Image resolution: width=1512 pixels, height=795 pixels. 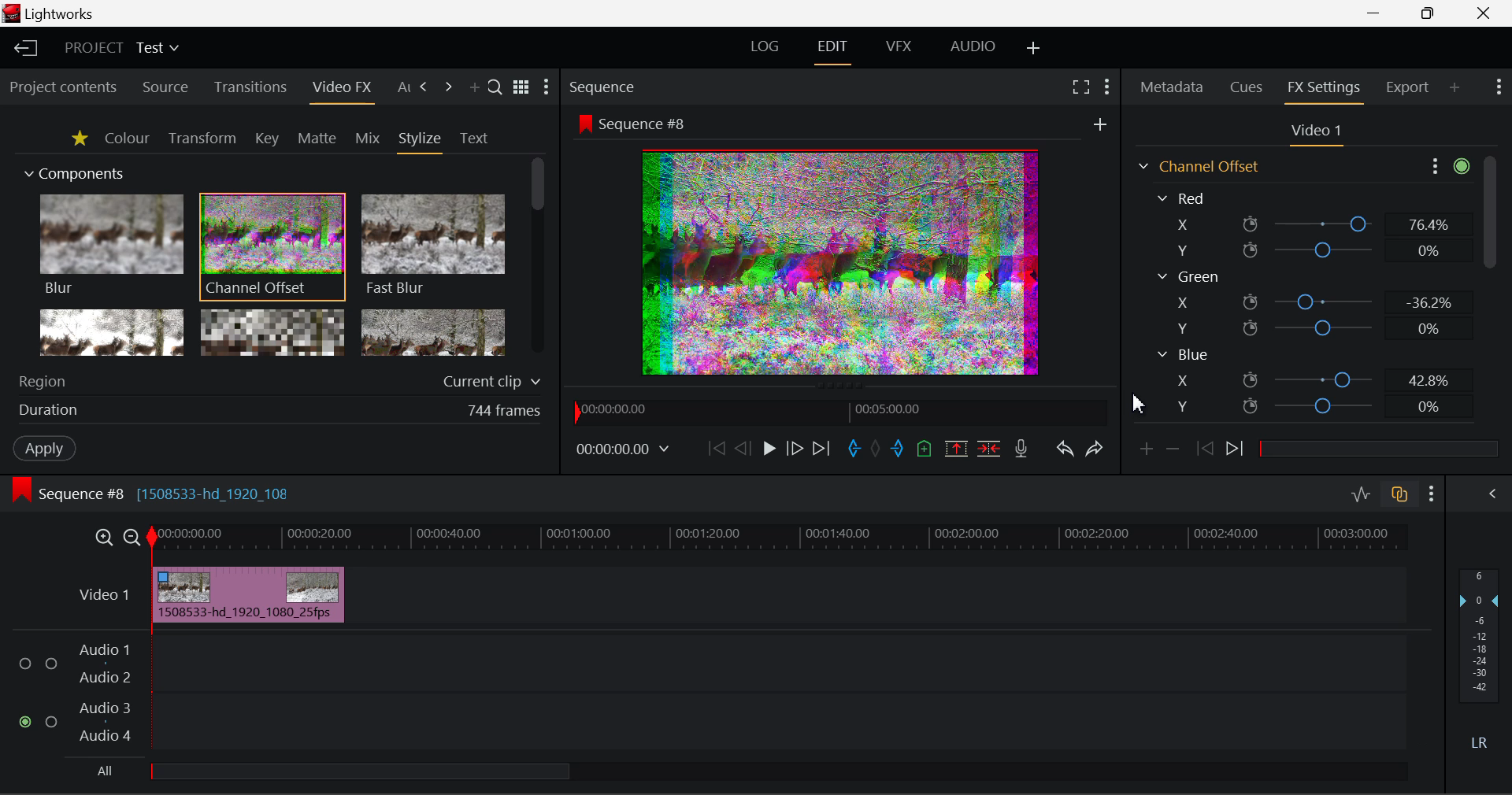 I want to click on Text, so click(x=473, y=139).